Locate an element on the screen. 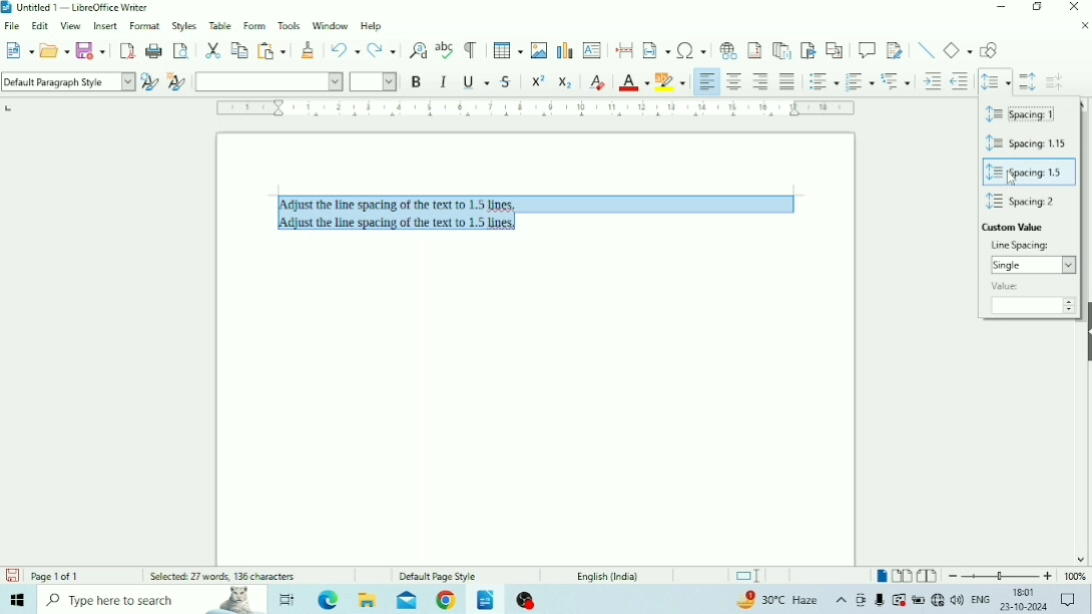 This screenshot has height=614, width=1092. Save is located at coordinates (92, 51).